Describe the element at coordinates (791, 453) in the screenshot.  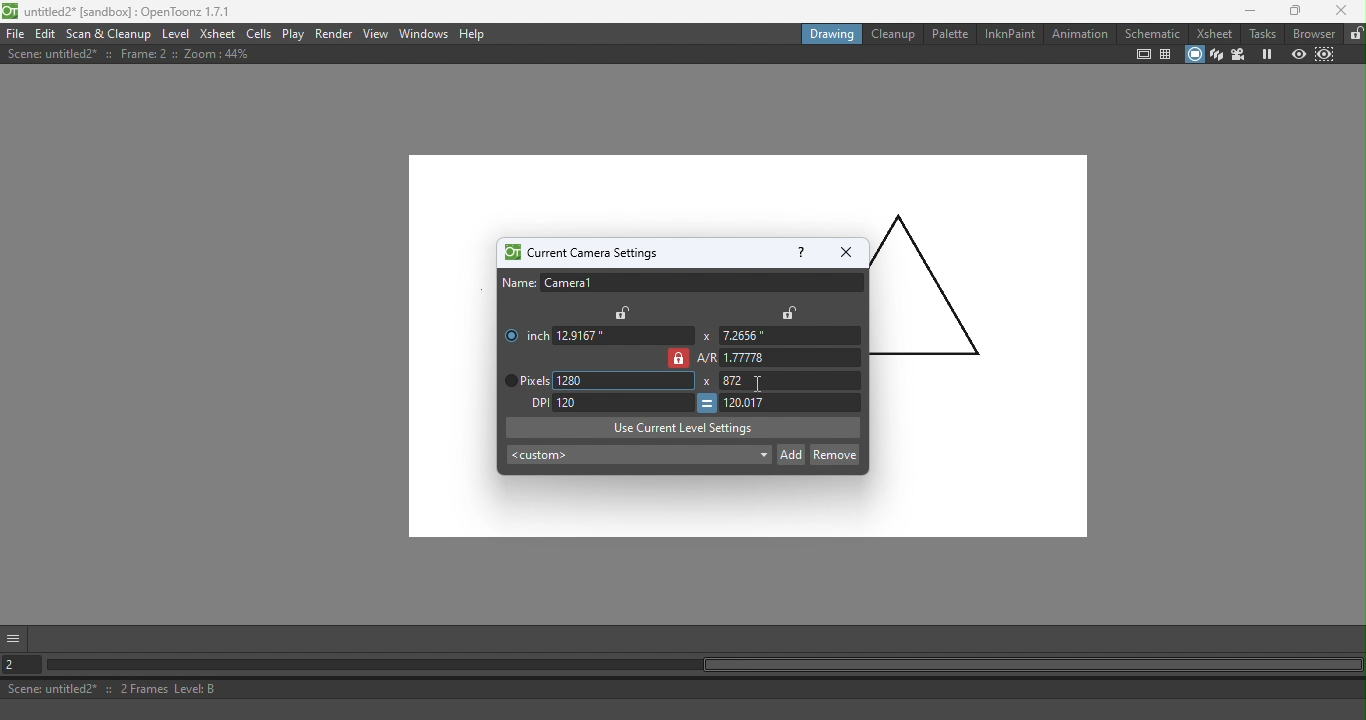
I see `Add` at that location.